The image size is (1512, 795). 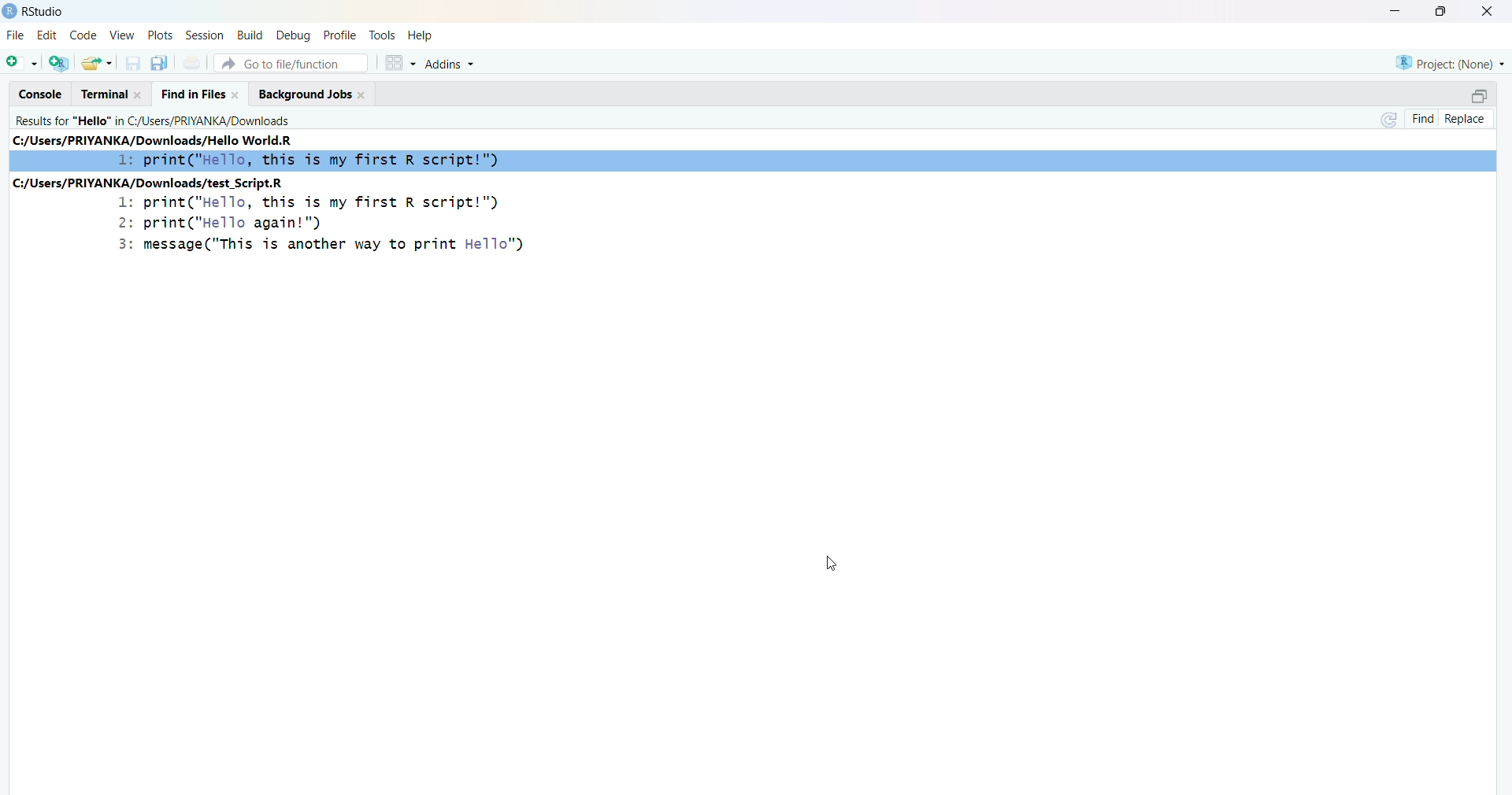 I want to click on plots, so click(x=160, y=34).